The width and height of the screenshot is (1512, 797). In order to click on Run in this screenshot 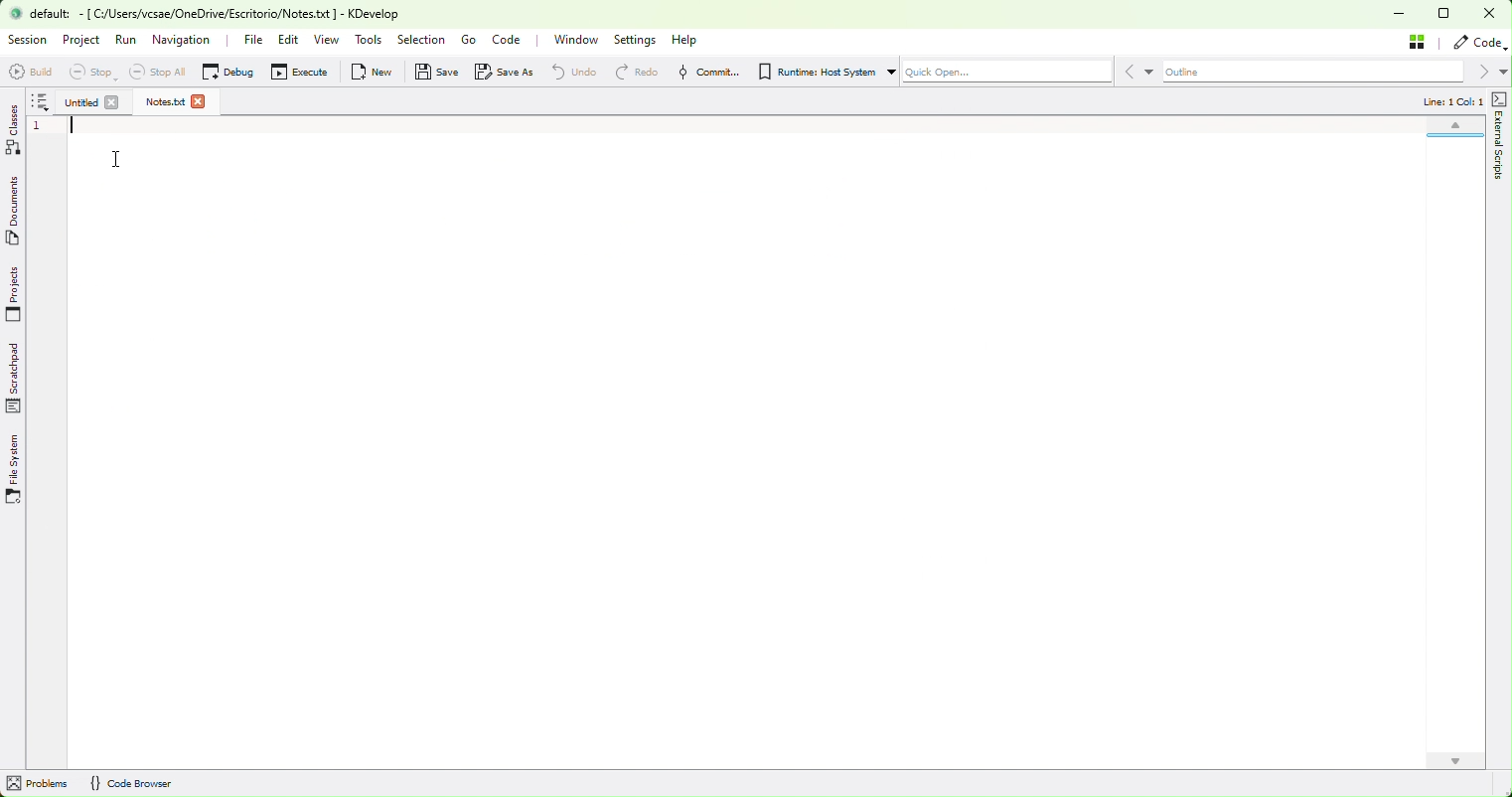, I will do `click(129, 40)`.